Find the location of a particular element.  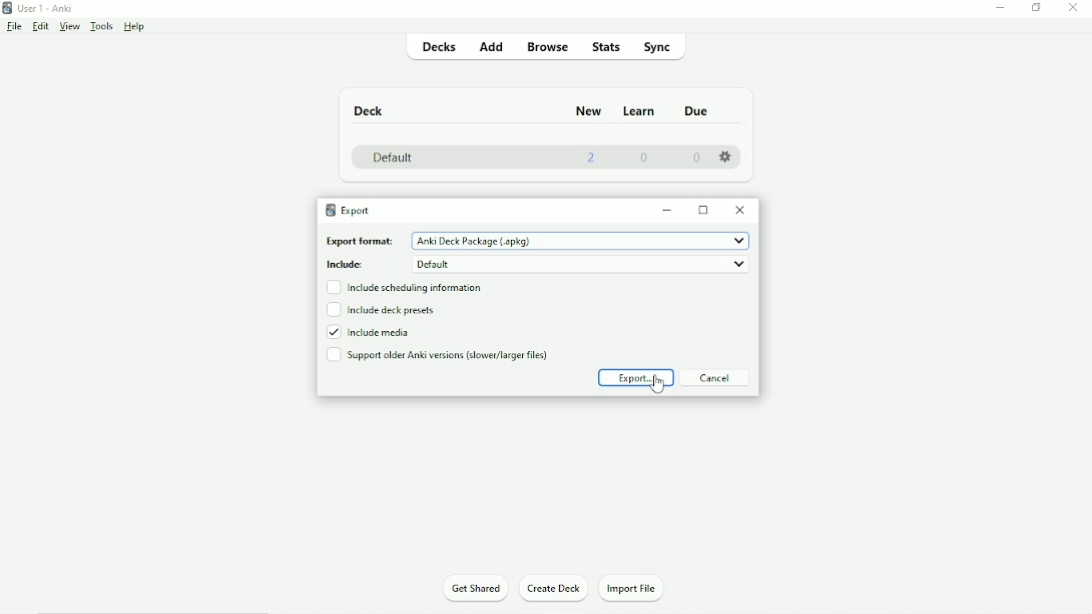

Add is located at coordinates (492, 46).